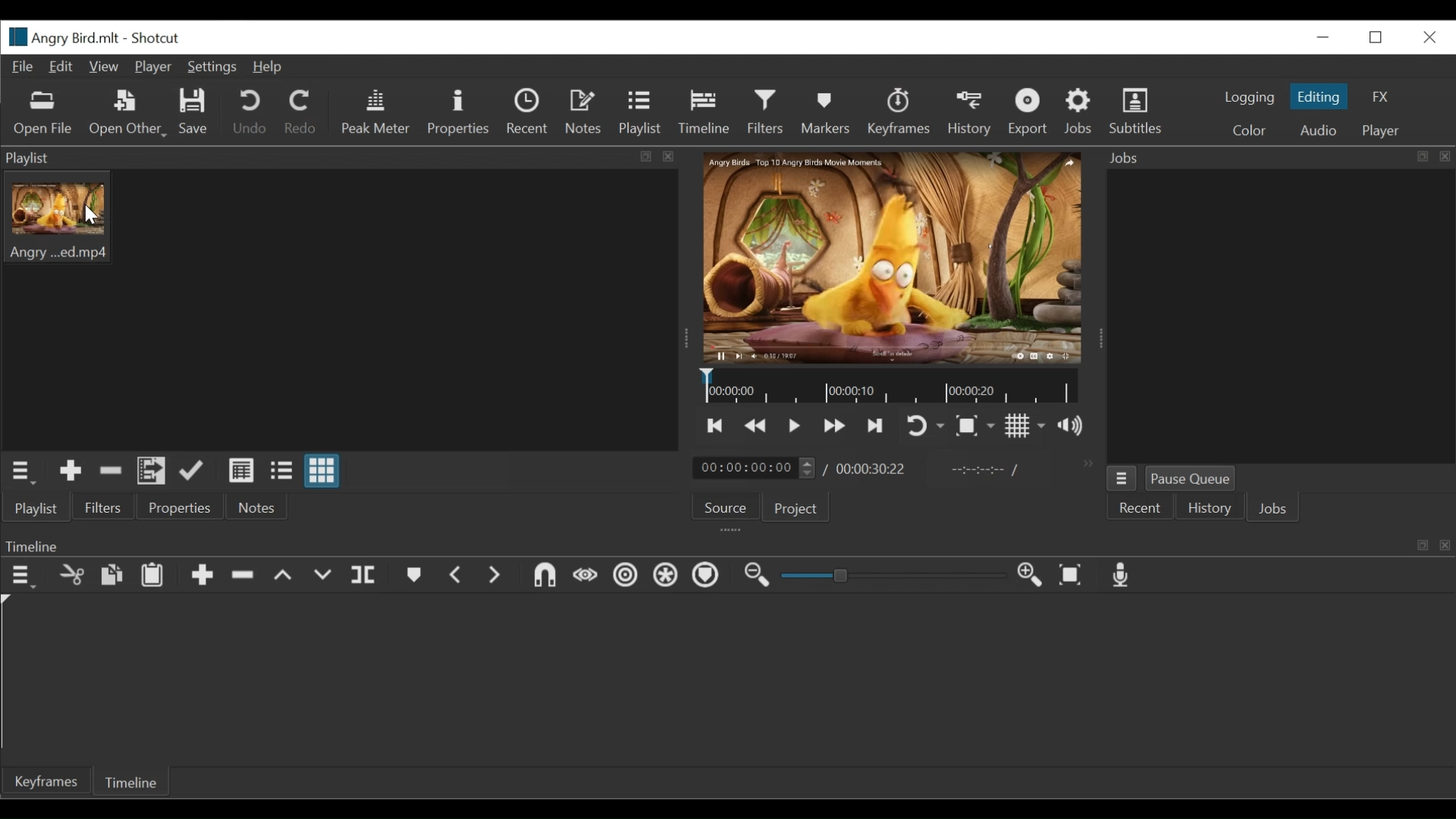 Image resolution: width=1456 pixels, height=819 pixels. I want to click on Ripple all tracks, so click(667, 577).